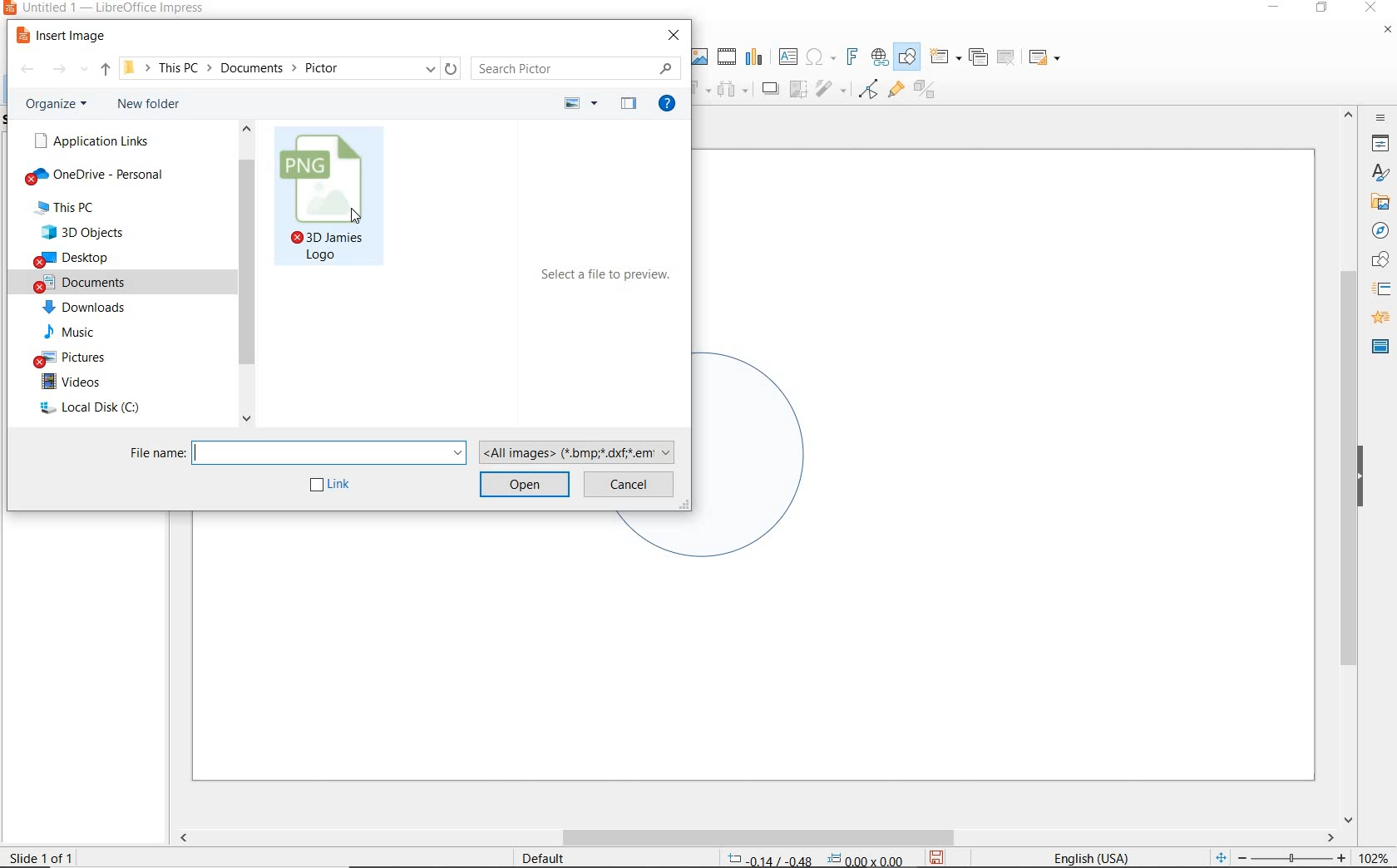 The image size is (1397, 868). What do you see at coordinates (675, 35) in the screenshot?
I see `close` at bounding box center [675, 35].